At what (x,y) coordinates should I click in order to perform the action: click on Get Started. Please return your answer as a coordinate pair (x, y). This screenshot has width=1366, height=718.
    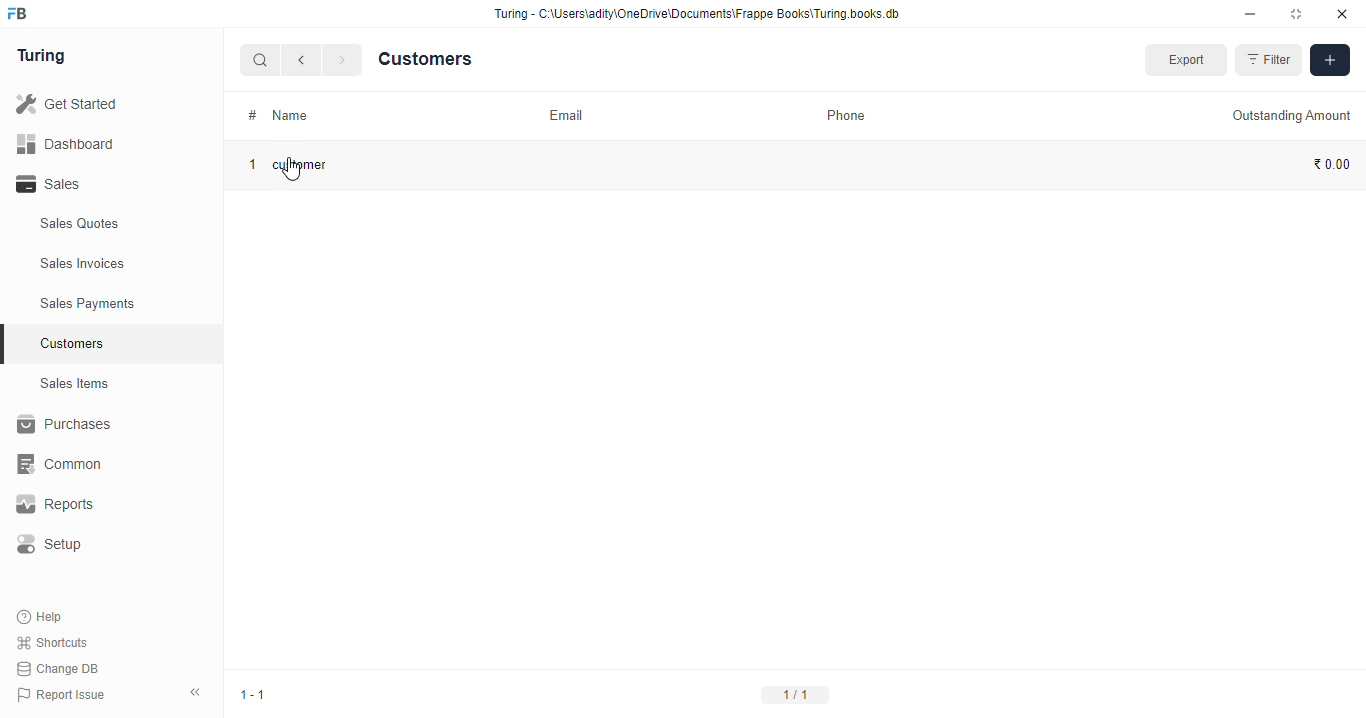
    Looking at the image, I should click on (93, 105).